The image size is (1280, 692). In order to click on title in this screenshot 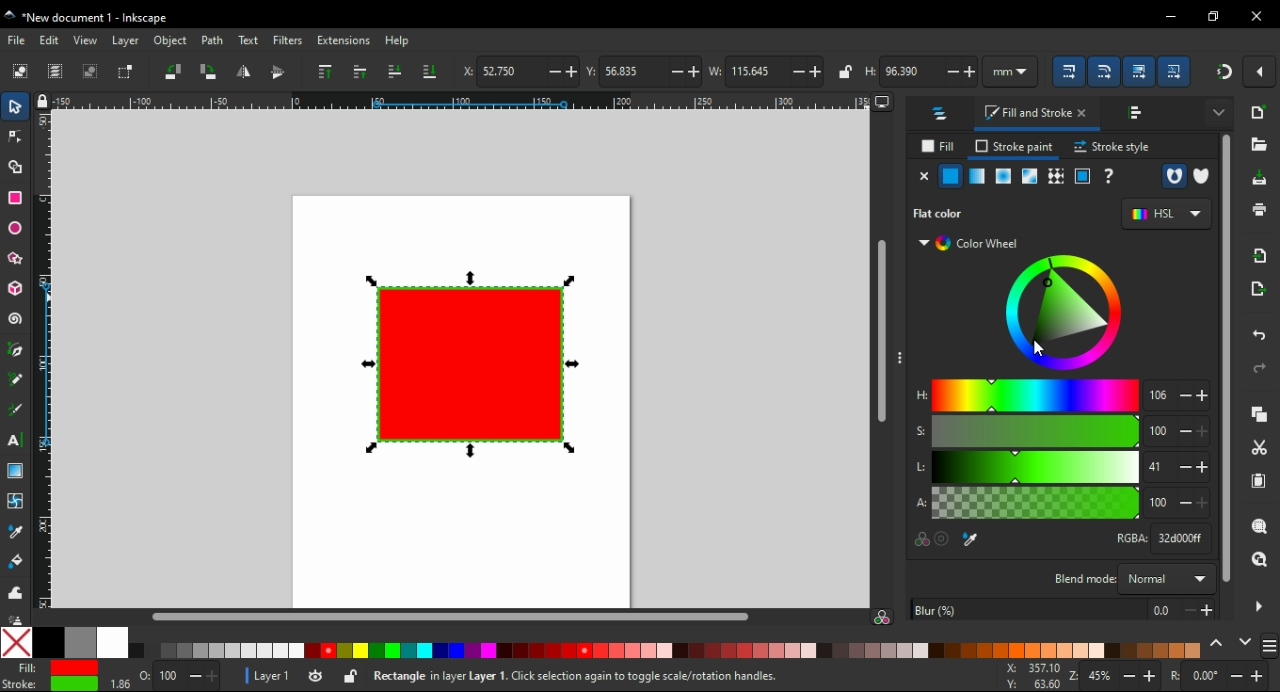, I will do `click(124, 18)`.